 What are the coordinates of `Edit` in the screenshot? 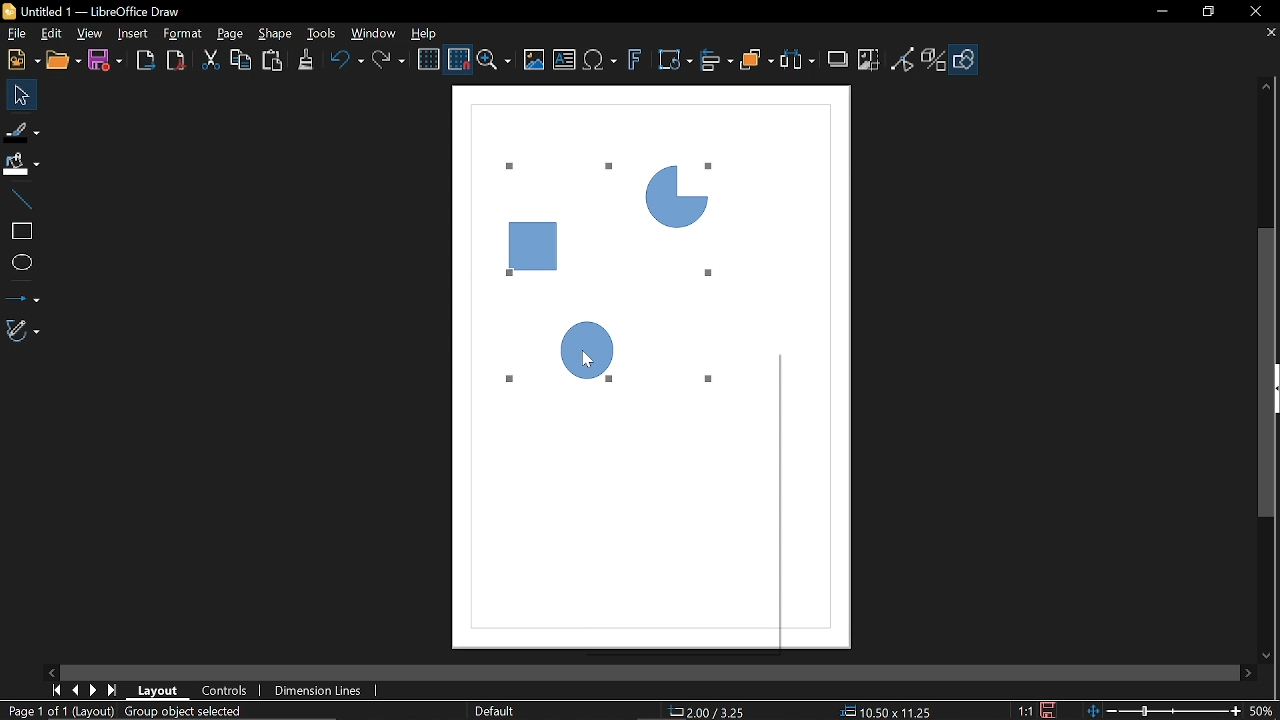 It's located at (50, 33).